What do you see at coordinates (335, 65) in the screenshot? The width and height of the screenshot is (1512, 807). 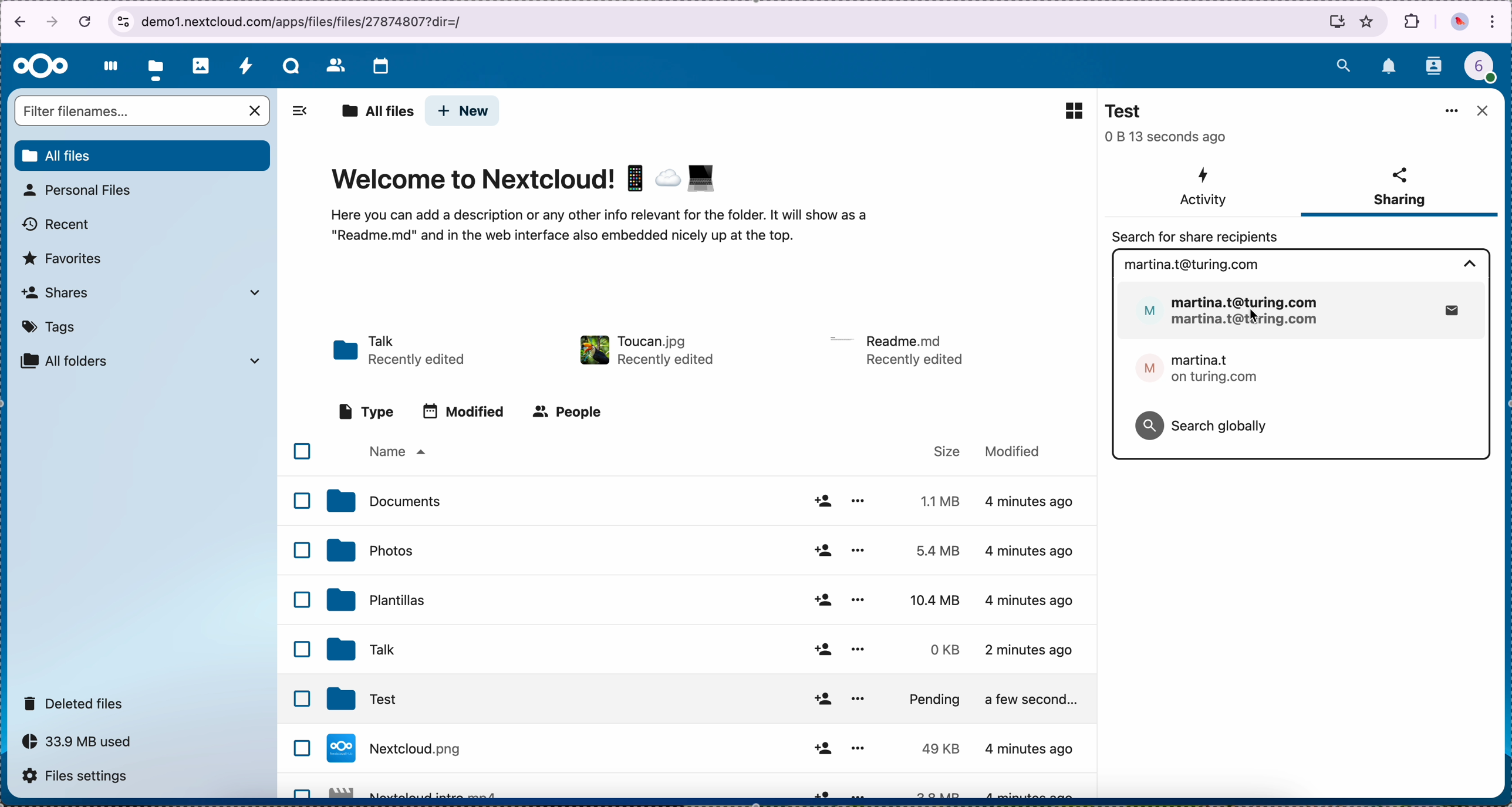 I see `contacts` at bounding box center [335, 65].